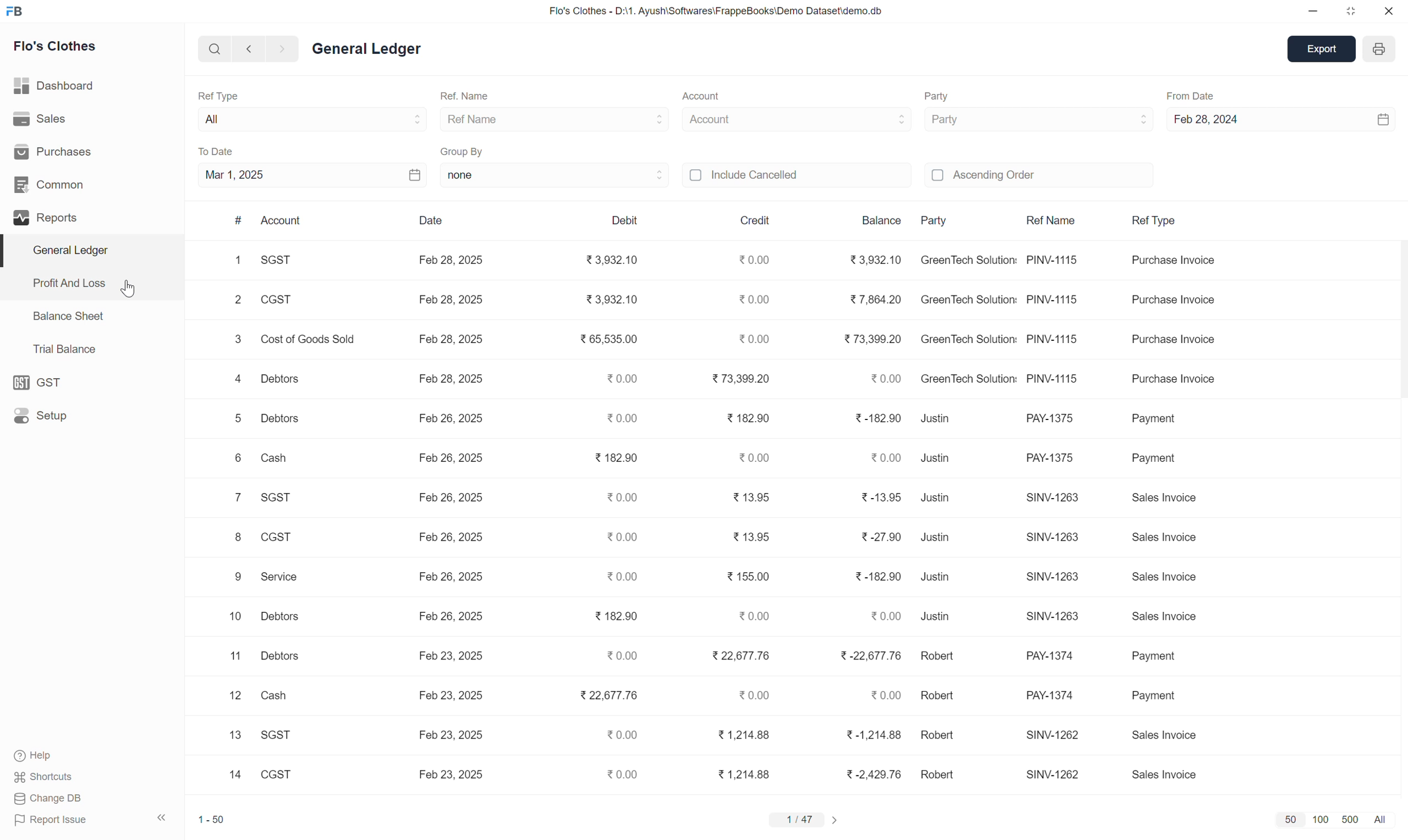 The image size is (1408, 840). Describe the element at coordinates (230, 150) in the screenshot. I see `To Date` at that location.